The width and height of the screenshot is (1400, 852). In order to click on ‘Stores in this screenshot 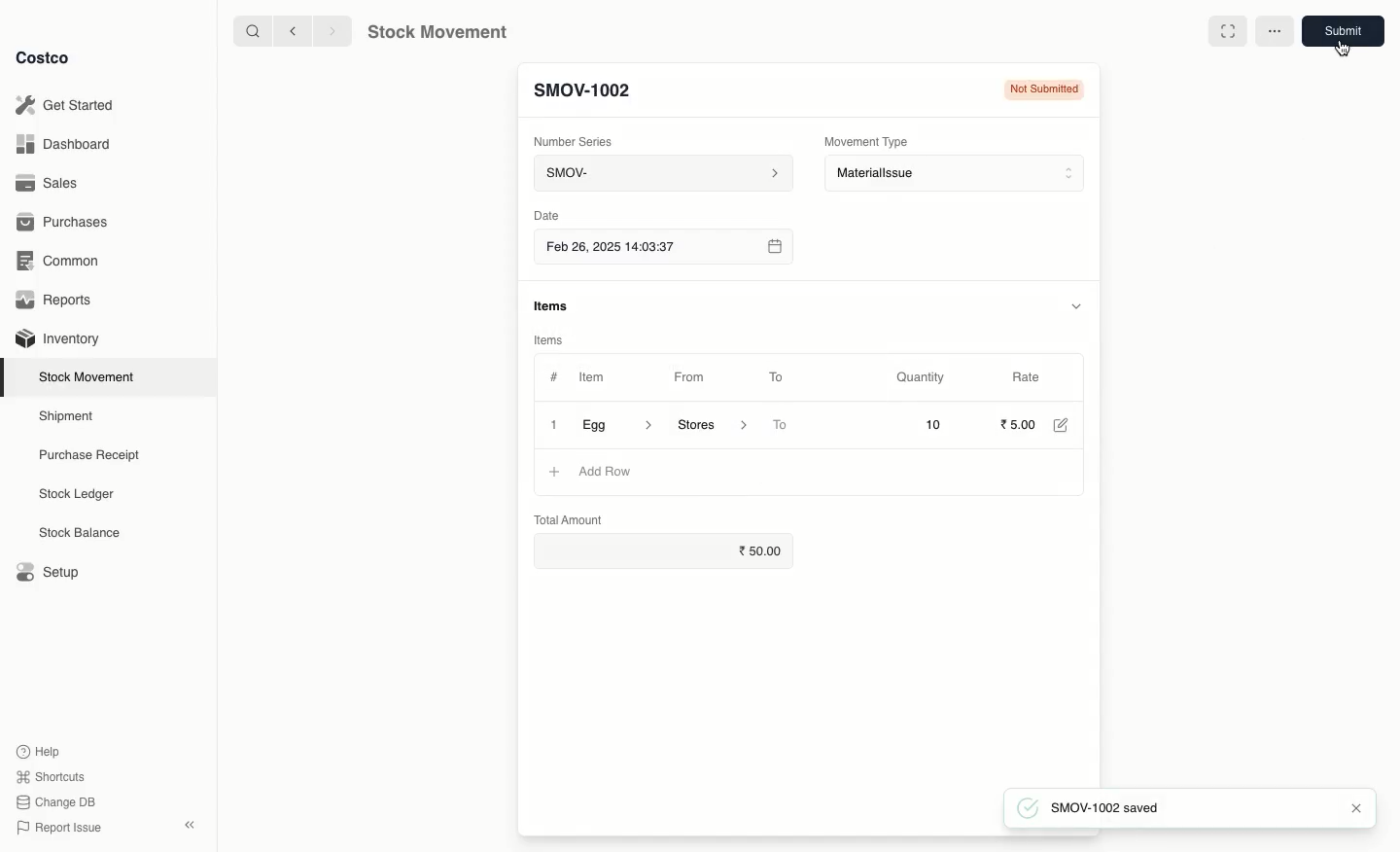, I will do `click(710, 423)`.